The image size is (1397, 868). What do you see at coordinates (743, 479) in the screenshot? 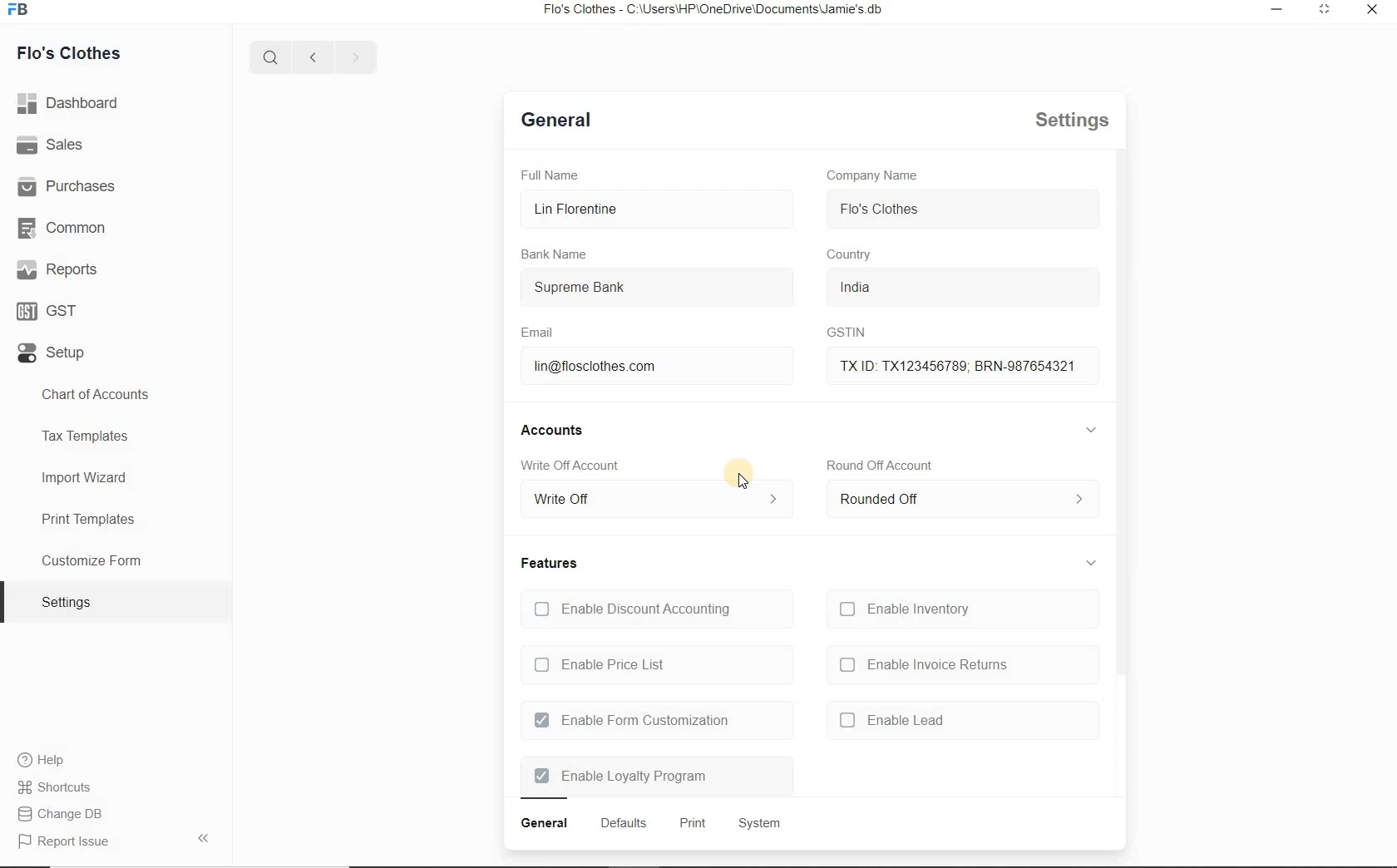
I see `Cursor` at bounding box center [743, 479].